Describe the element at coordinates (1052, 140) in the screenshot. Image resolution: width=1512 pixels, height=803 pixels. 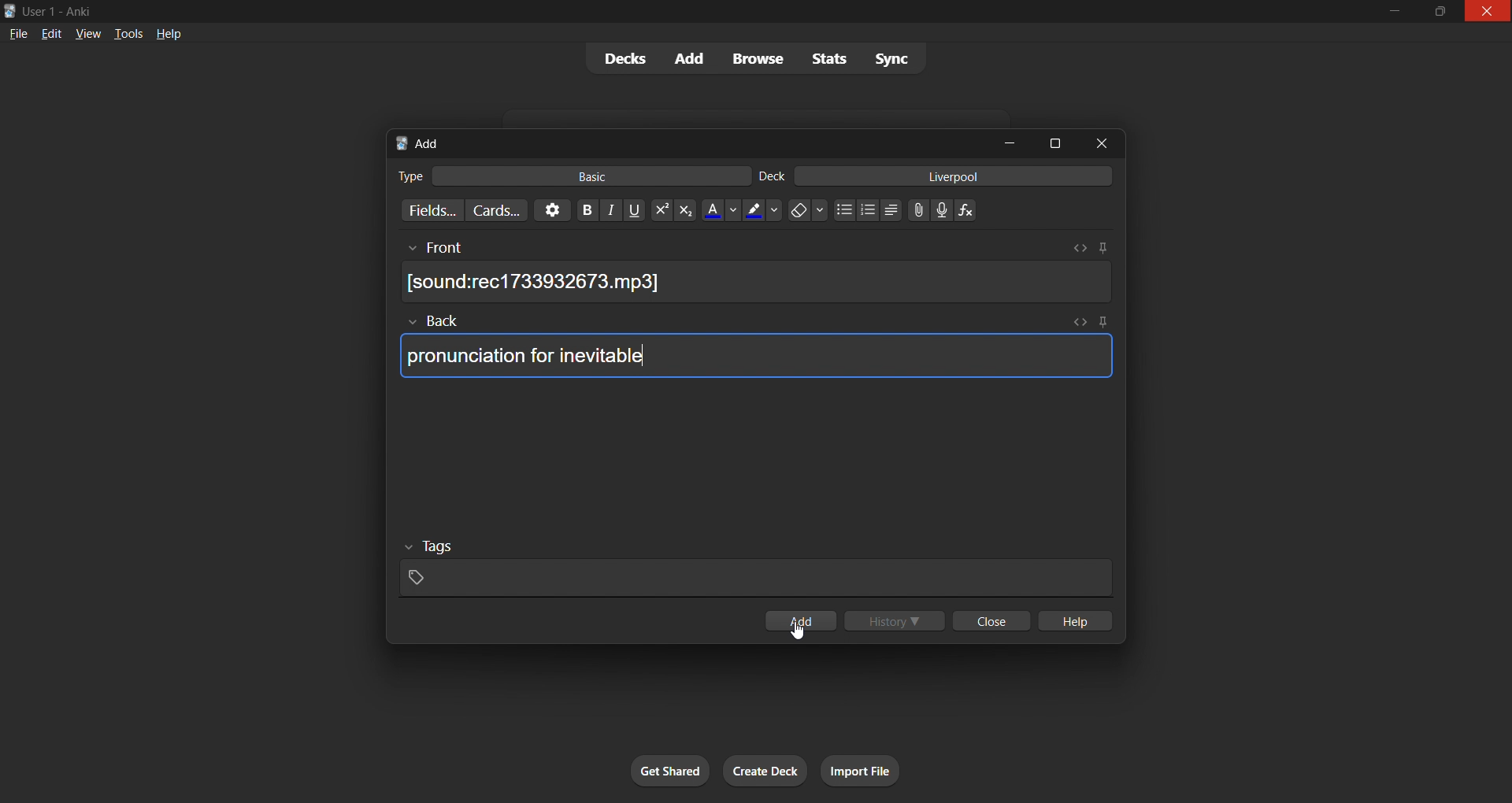
I see `maximize` at that location.